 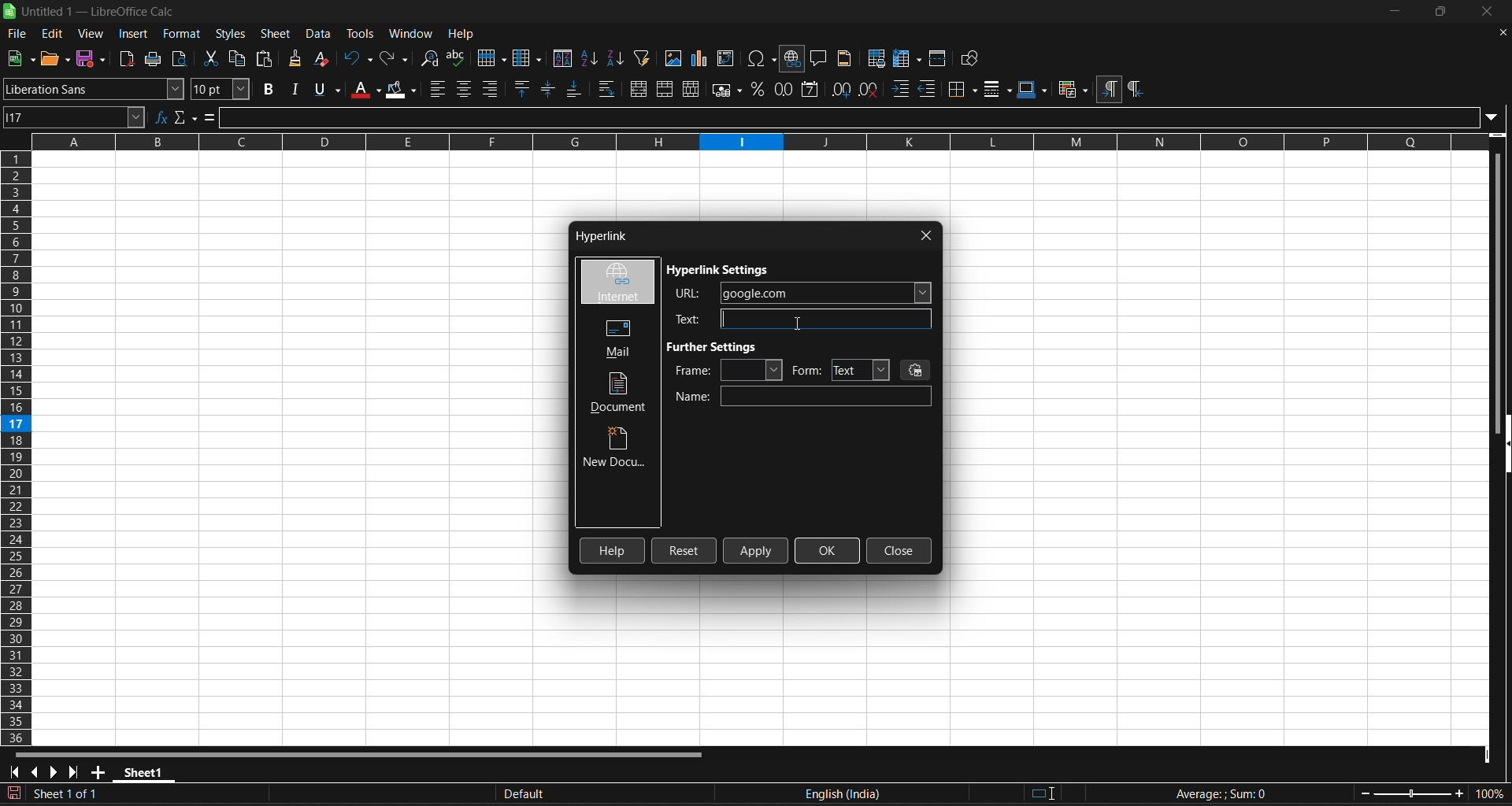 What do you see at coordinates (876, 57) in the screenshot?
I see `define print area` at bounding box center [876, 57].